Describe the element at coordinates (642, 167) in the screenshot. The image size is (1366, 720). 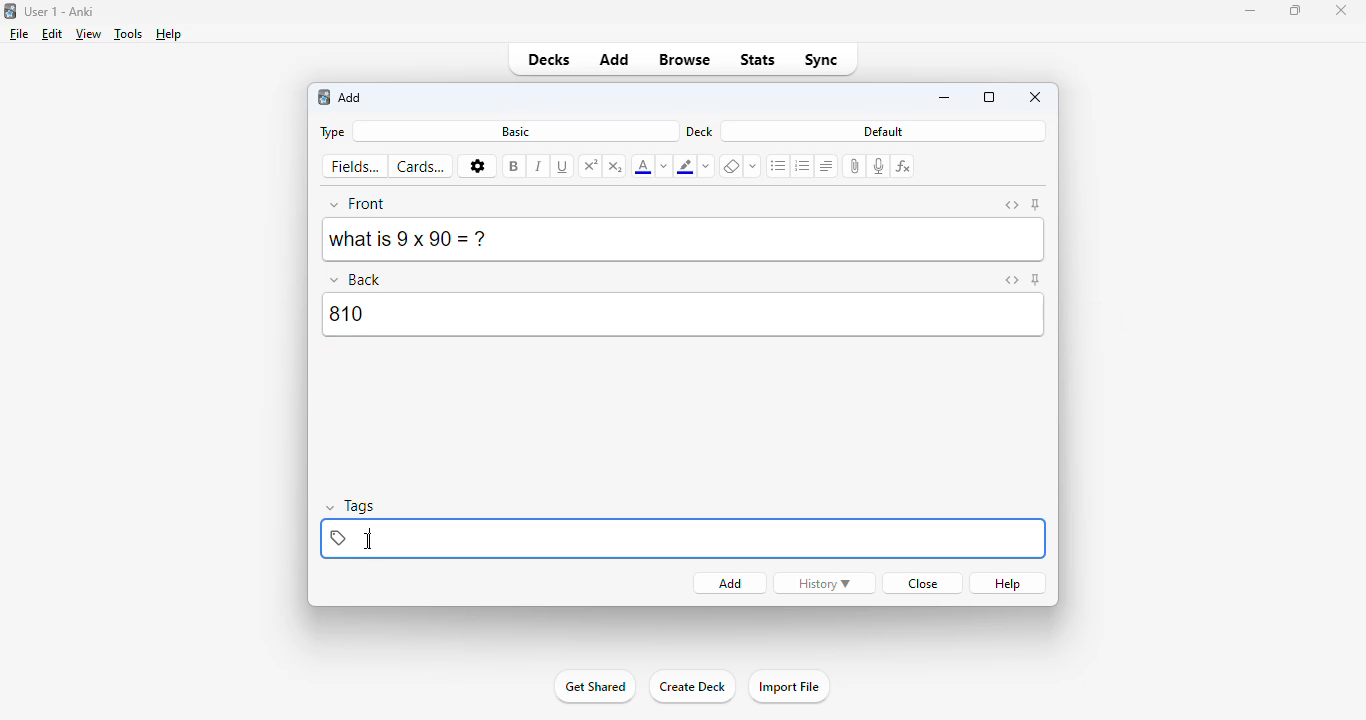
I see `text color` at that location.